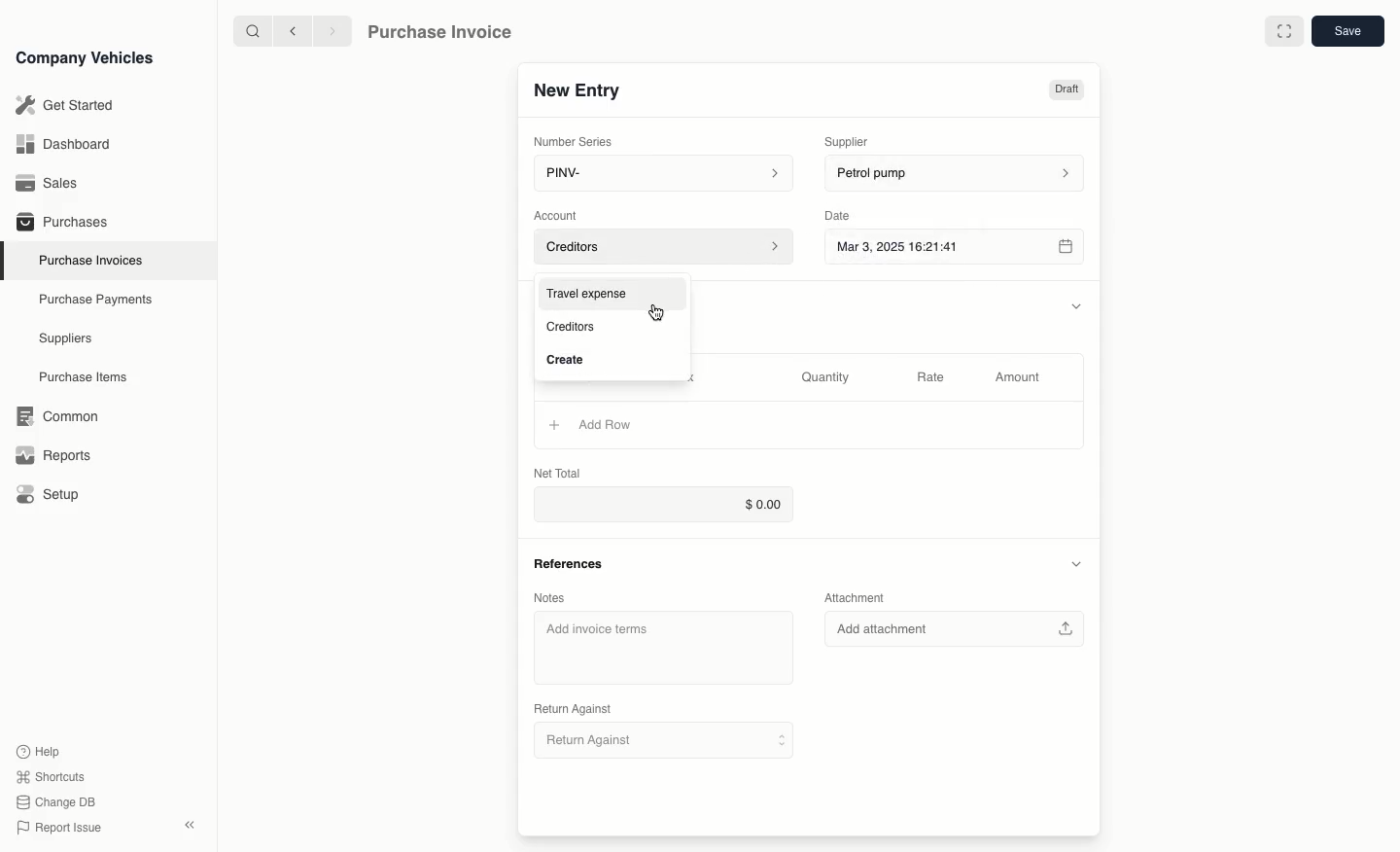  Describe the element at coordinates (951, 174) in the screenshot. I see `petrol pump` at that location.